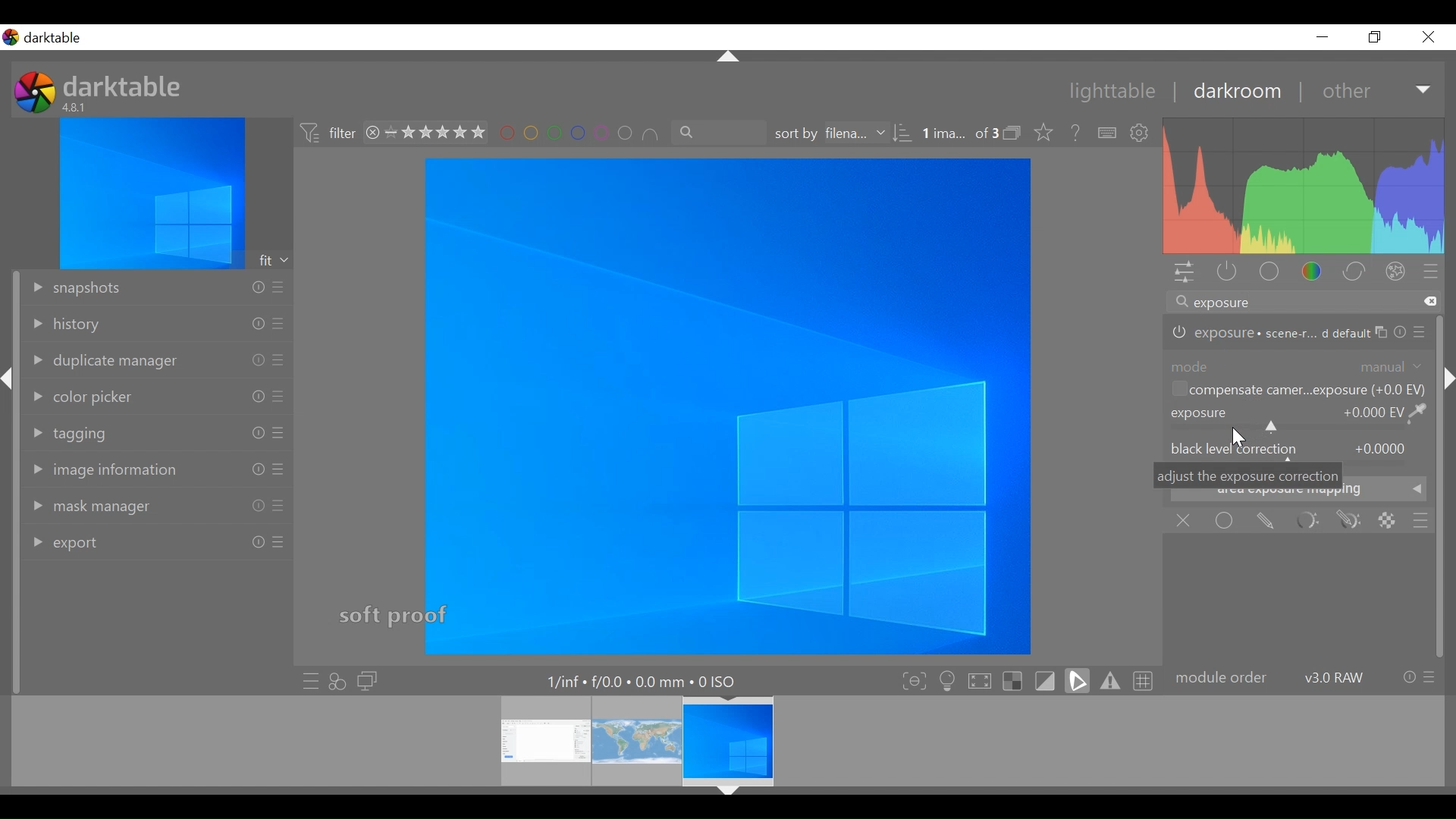  What do you see at coordinates (645, 679) in the screenshot?
I see `details` at bounding box center [645, 679].